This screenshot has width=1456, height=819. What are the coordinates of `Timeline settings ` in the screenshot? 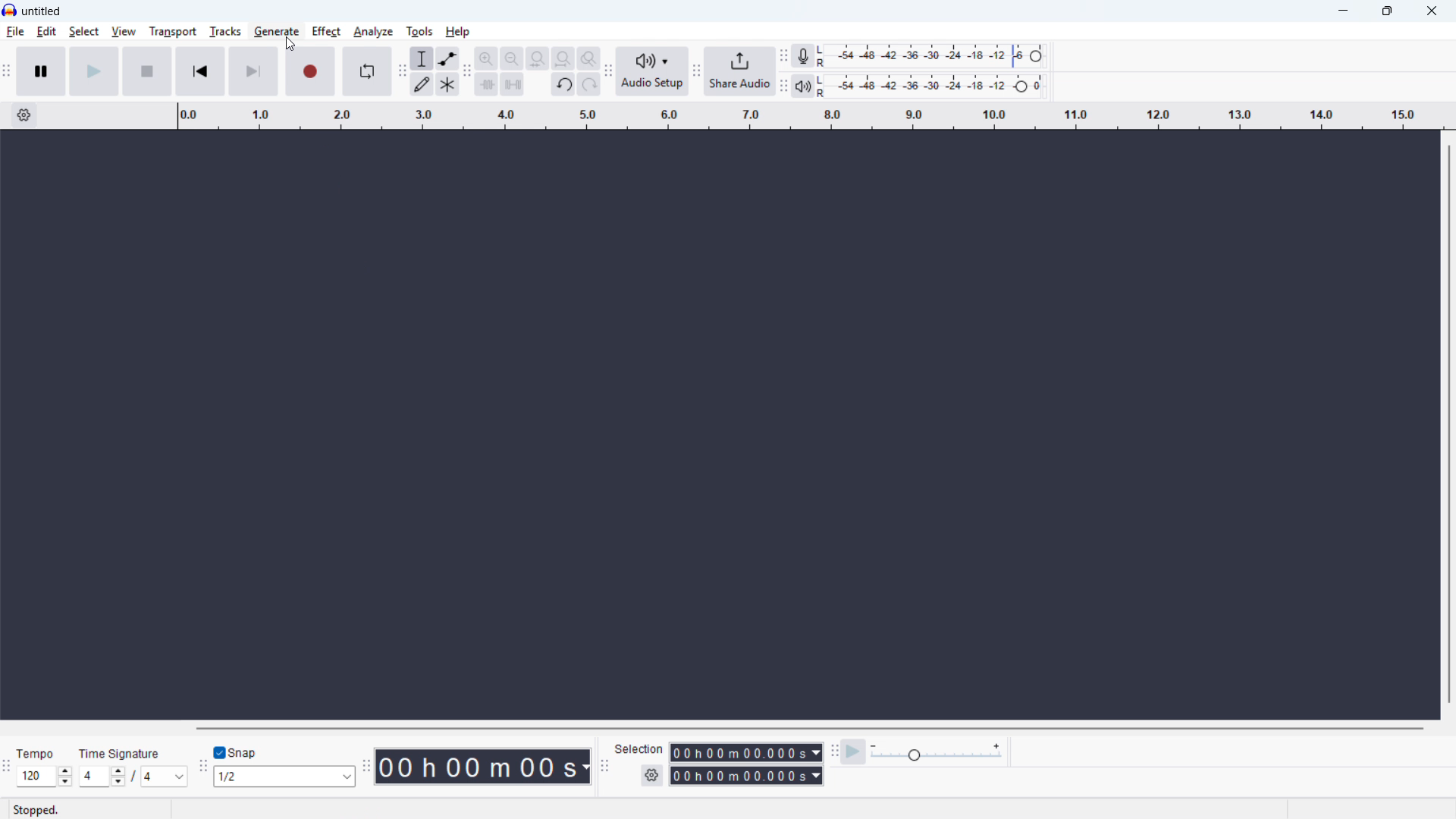 It's located at (24, 115).